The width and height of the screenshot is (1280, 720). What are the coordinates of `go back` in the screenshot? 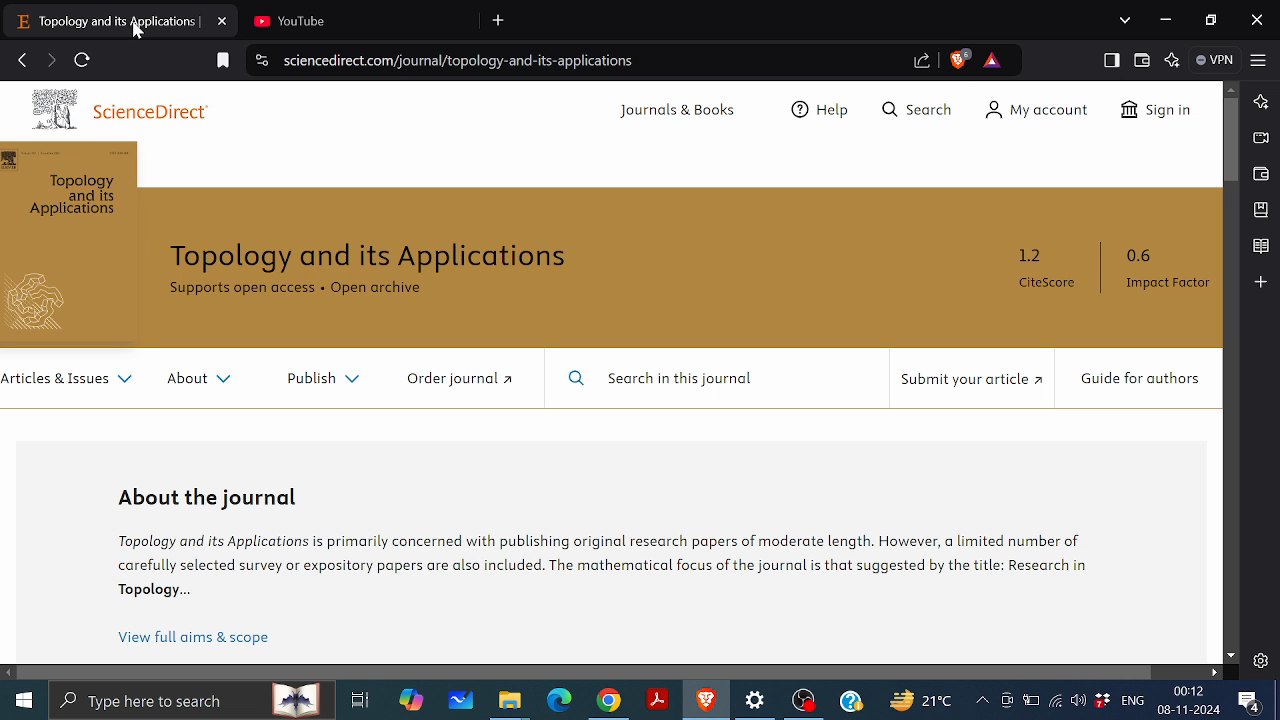 It's located at (22, 58).